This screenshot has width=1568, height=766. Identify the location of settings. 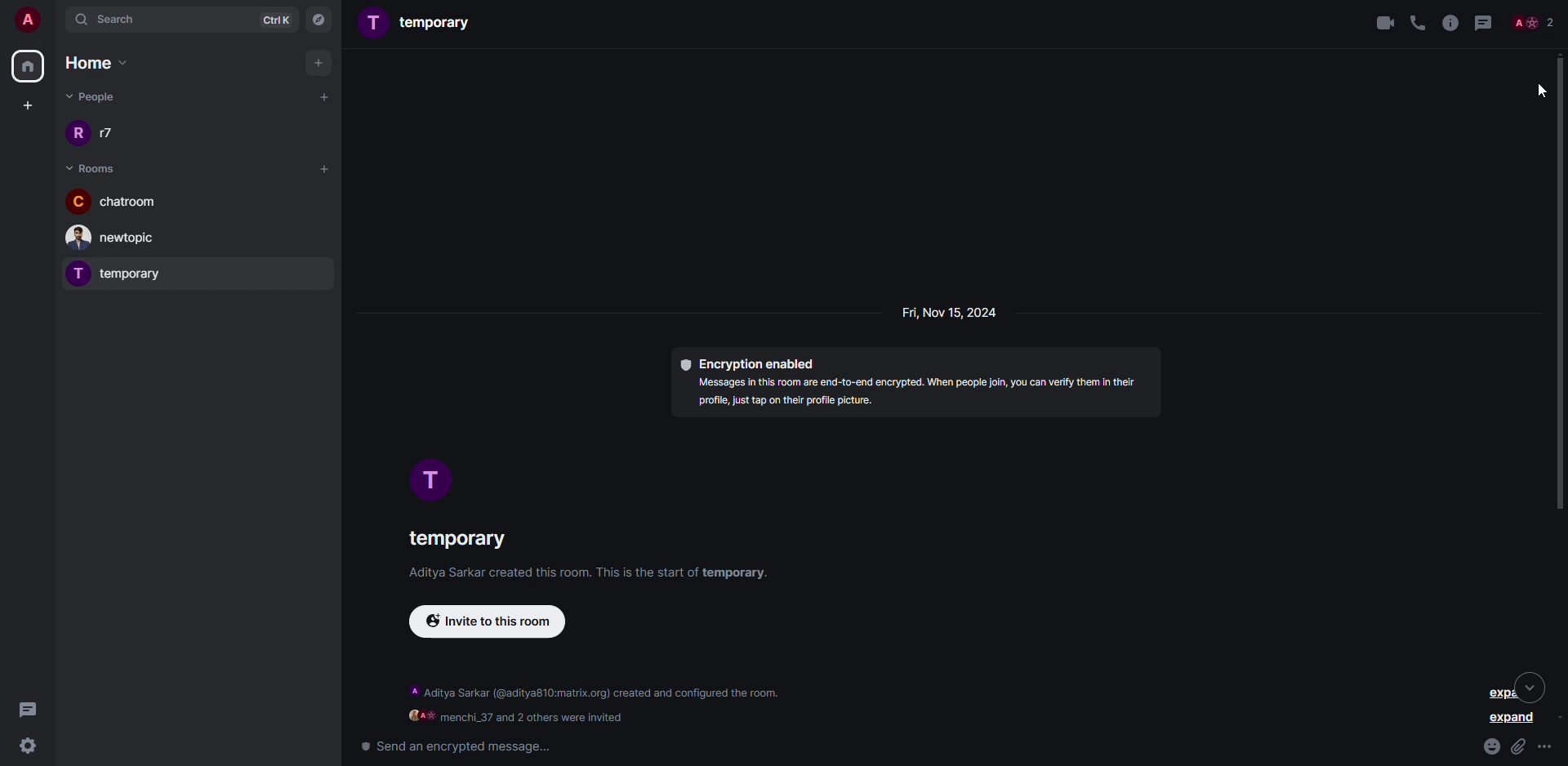
(32, 747).